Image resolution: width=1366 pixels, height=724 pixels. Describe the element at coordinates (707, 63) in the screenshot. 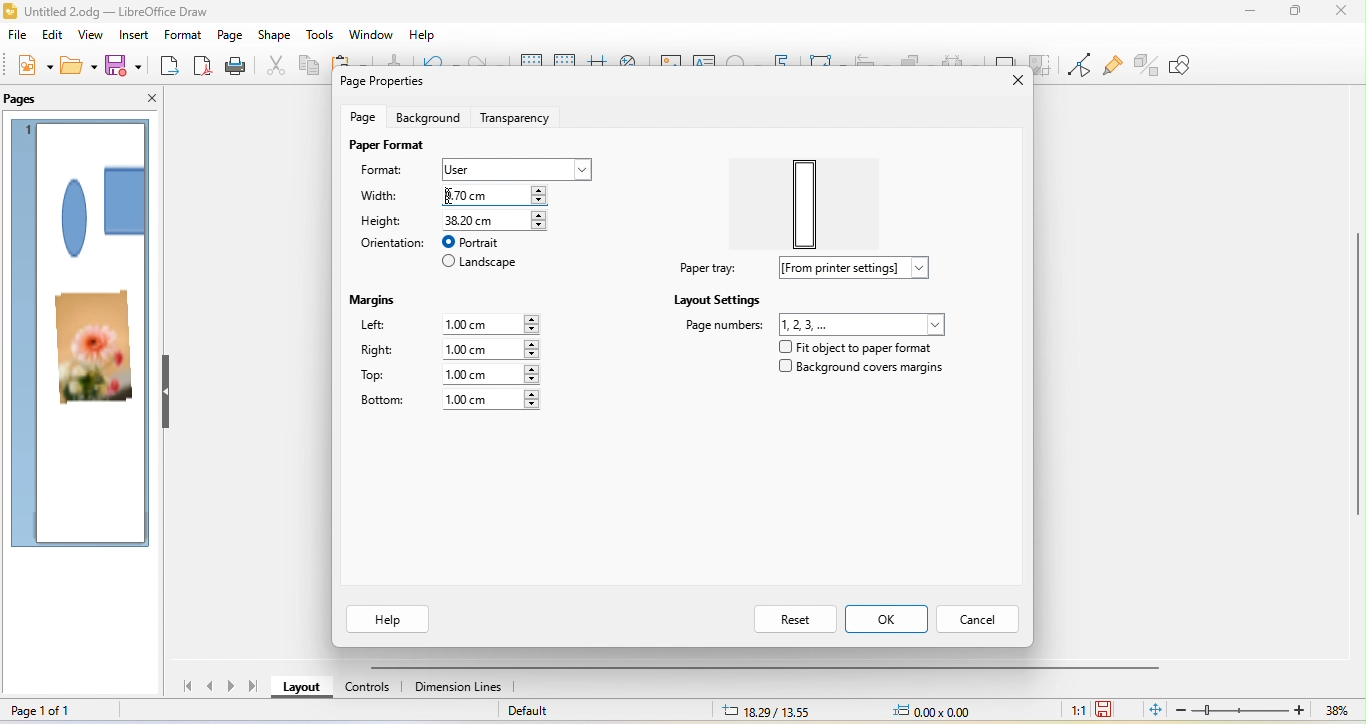

I see `text box` at that location.